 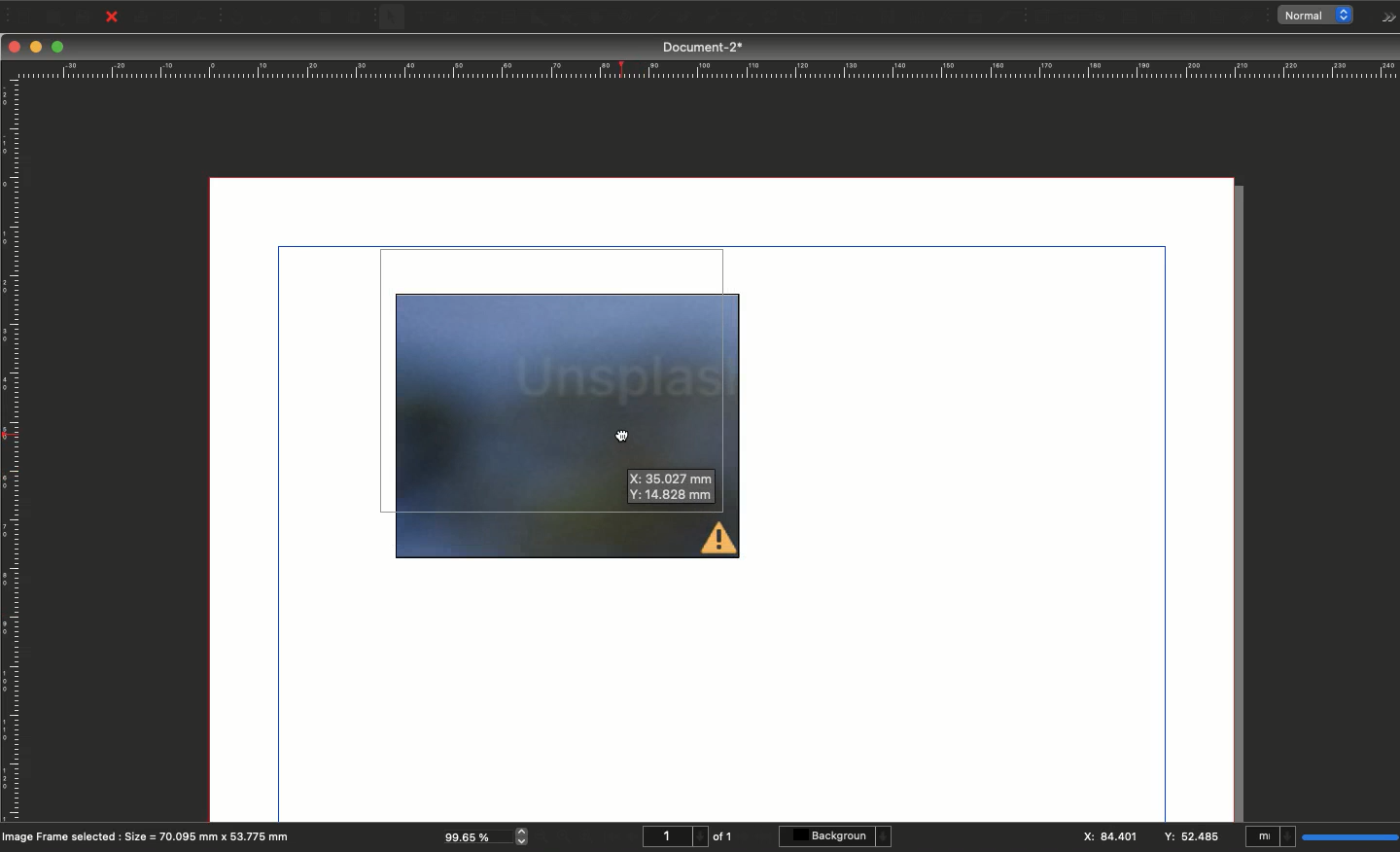 What do you see at coordinates (507, 18) in the screenshot?
I see `Table` at bounding box center [507, 18].